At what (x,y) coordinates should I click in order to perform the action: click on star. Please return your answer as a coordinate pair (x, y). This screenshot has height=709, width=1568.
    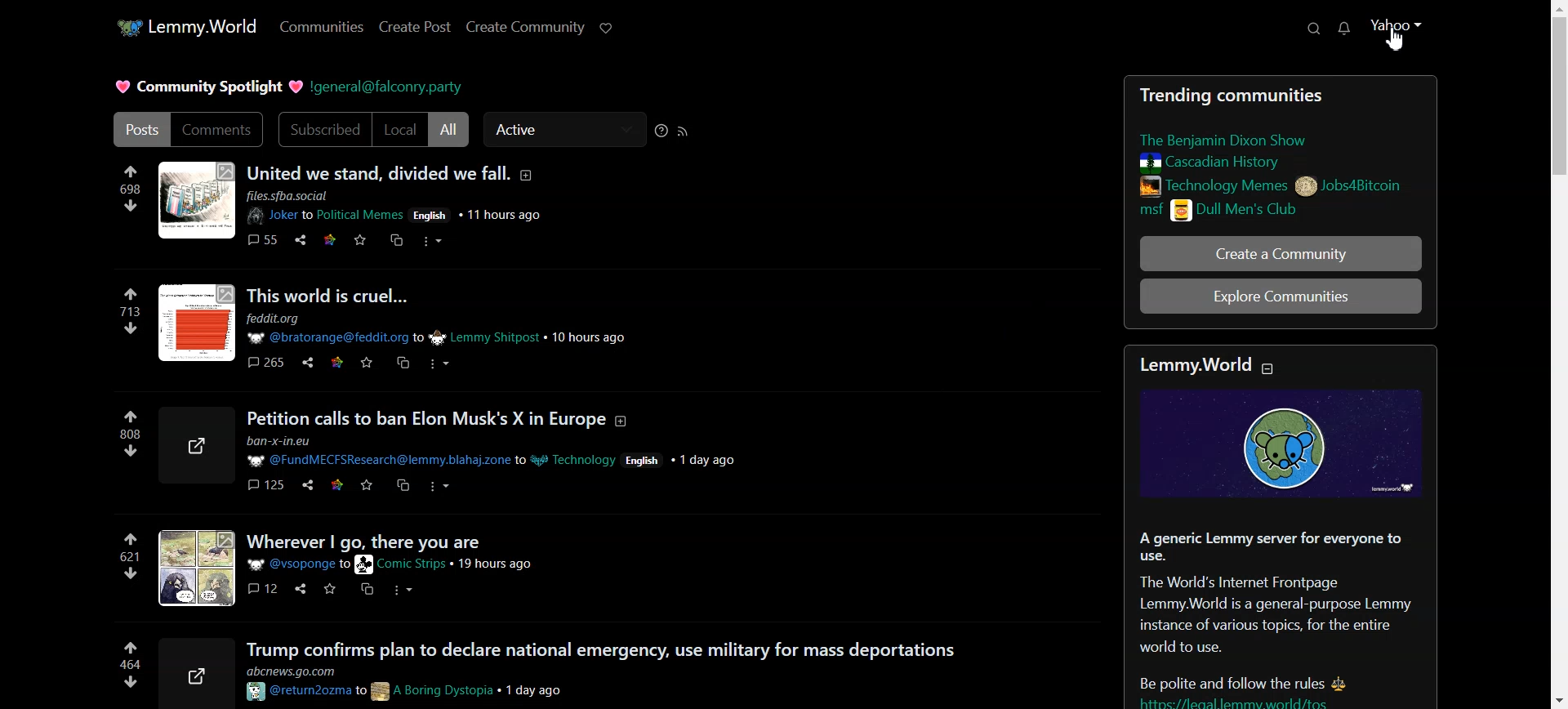
    Looking at the image, I should click on (367, 365).